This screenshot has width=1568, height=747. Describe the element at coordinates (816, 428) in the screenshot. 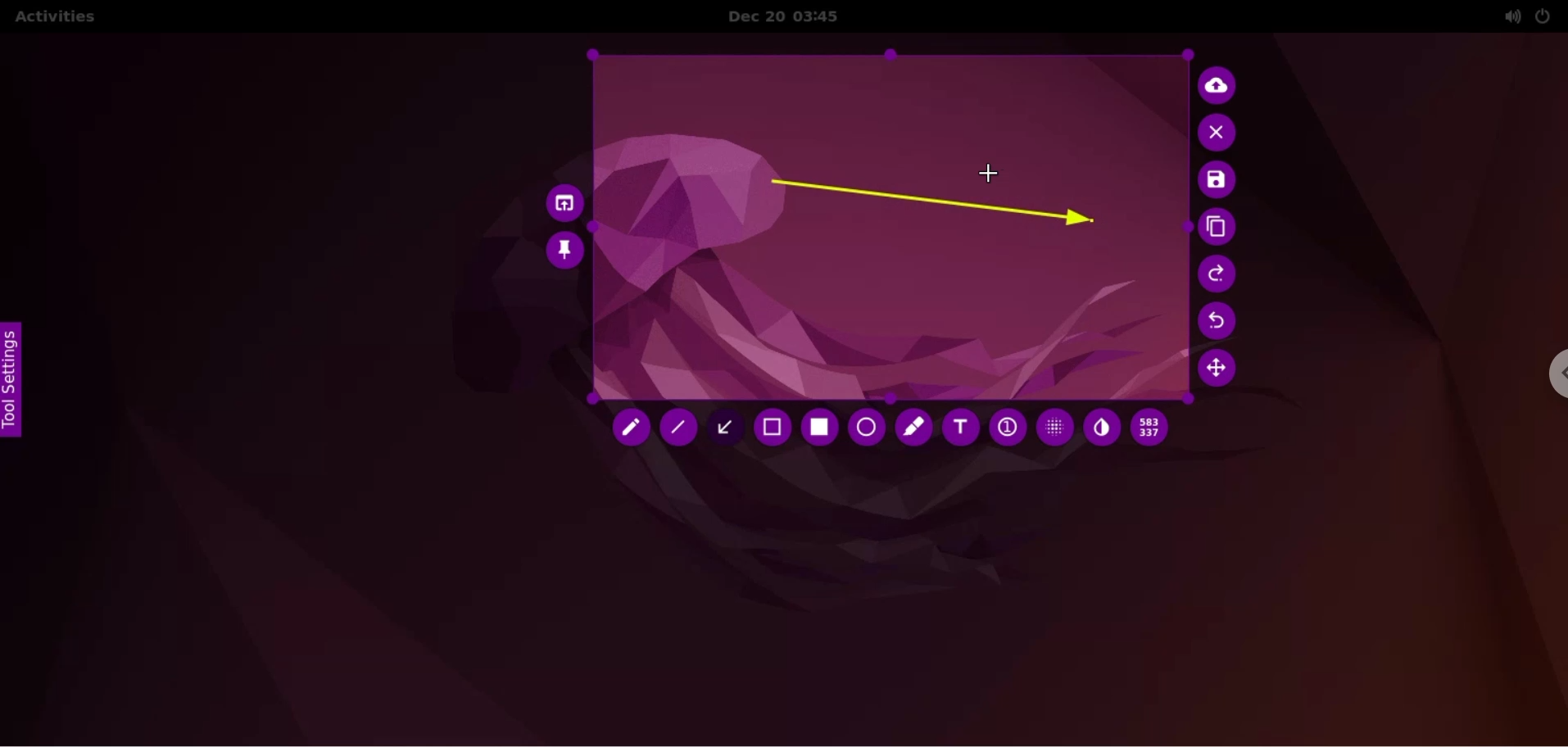

I see `rectangle tool` at that location.